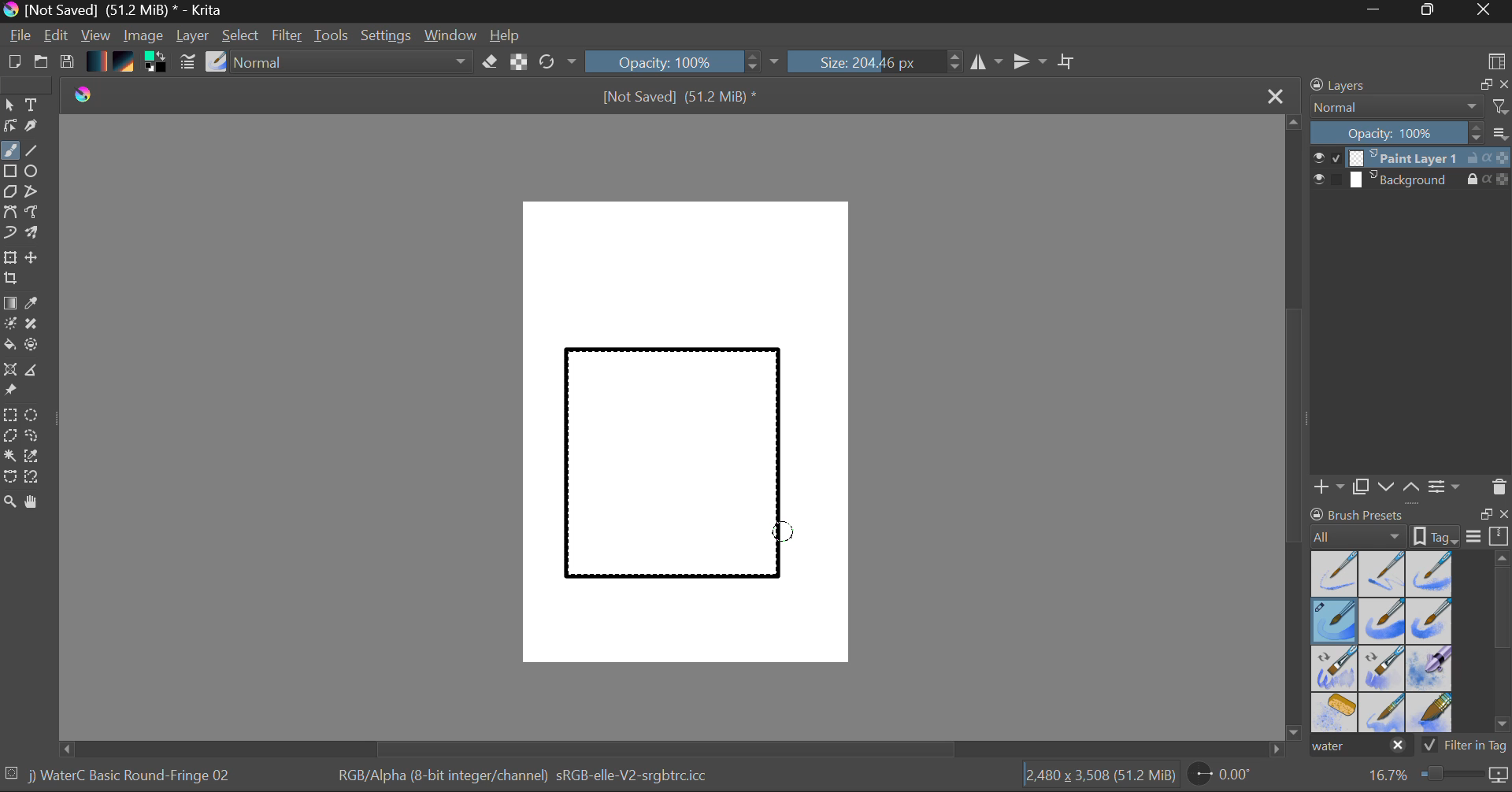  Describe the element at coordinates (9, 347) in the screenshot. I see `Fill` at that location.